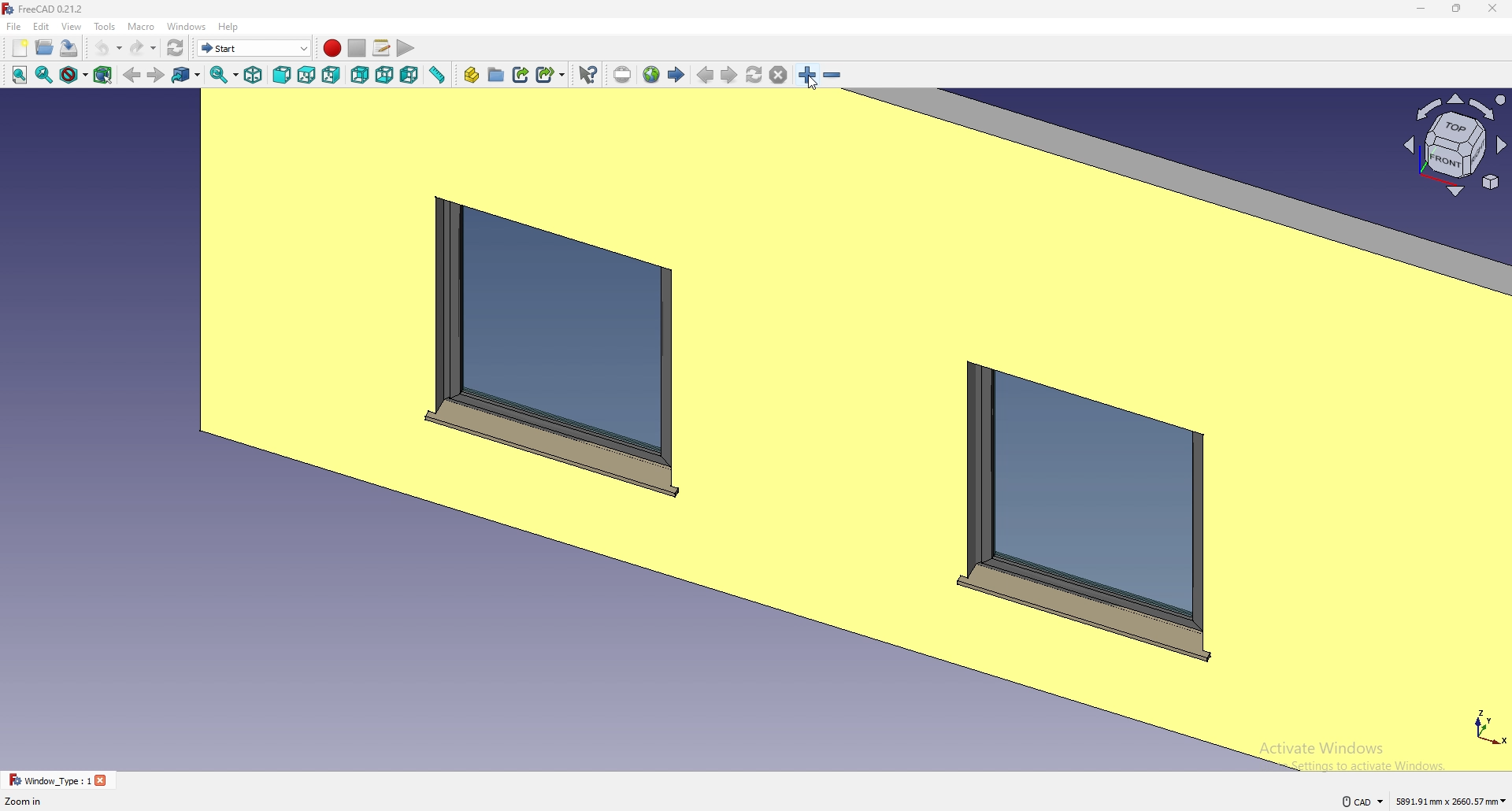  Describe the element at coordinates (104, 26) in the screenshot. I see `tools` at that location.